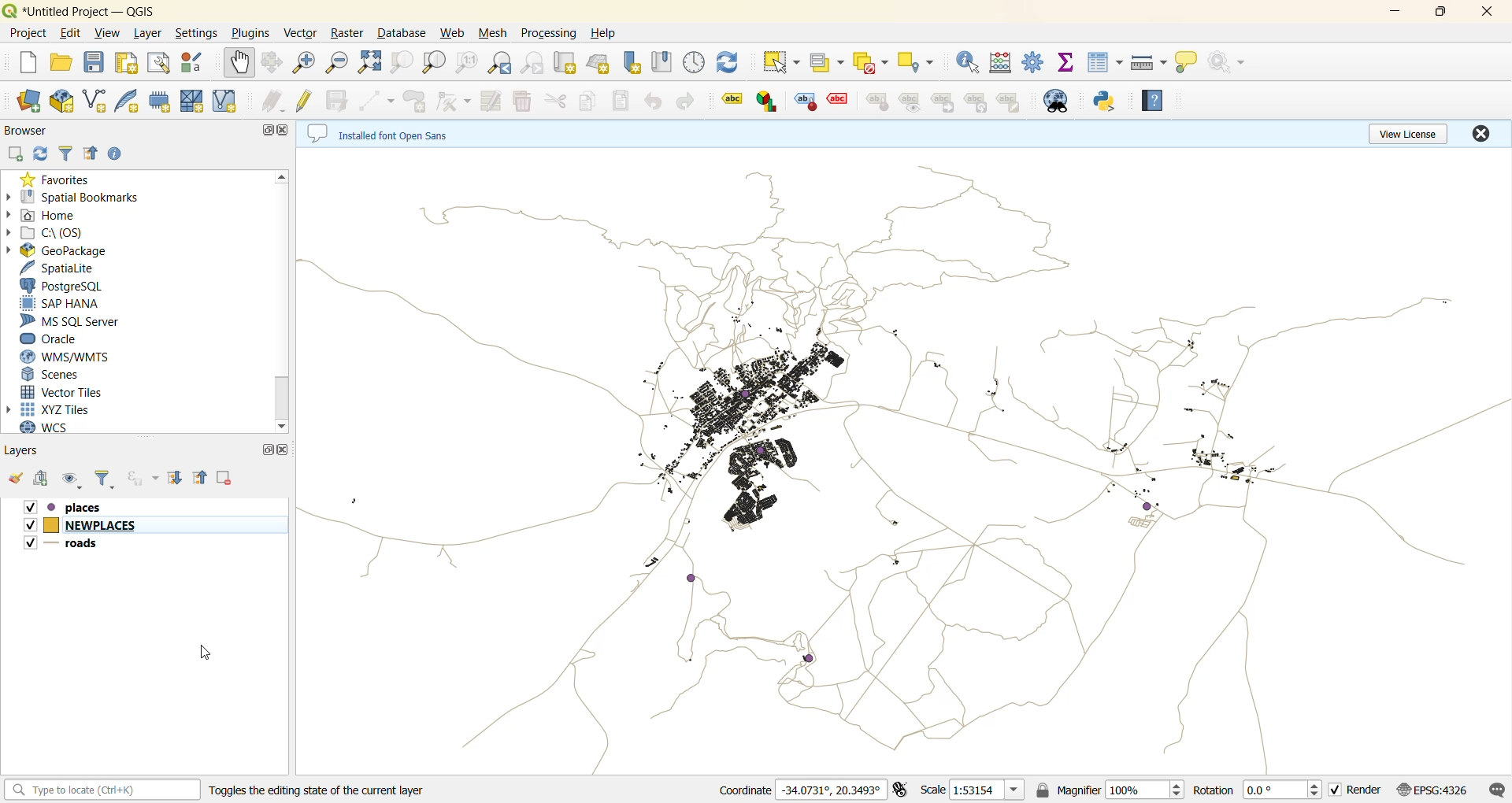 The height and width of the screenshot is (803, 1512). I want to click on expand all, so click(180, 479).